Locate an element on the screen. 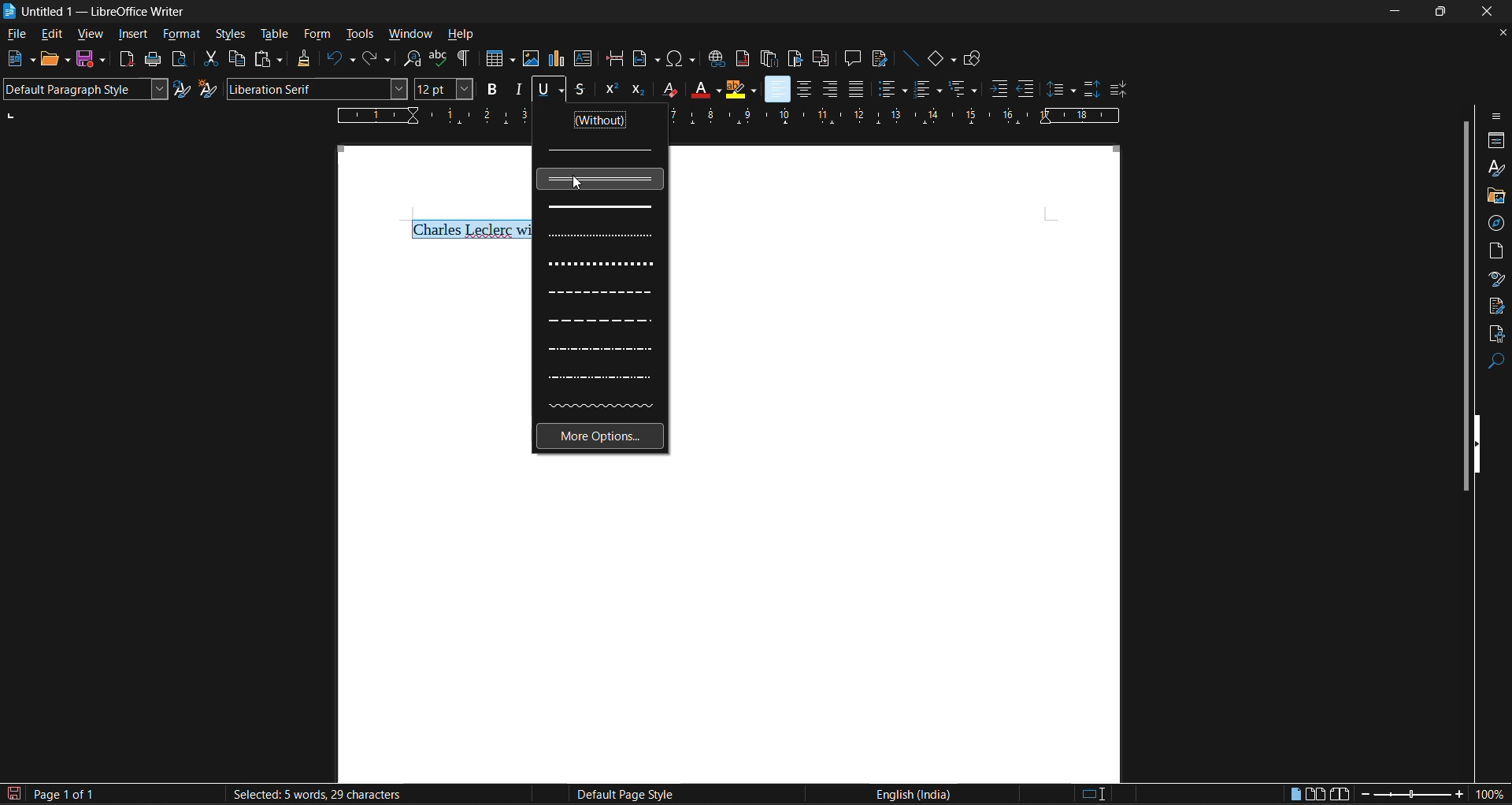  new style from selection is located at coordinates (208, 88).